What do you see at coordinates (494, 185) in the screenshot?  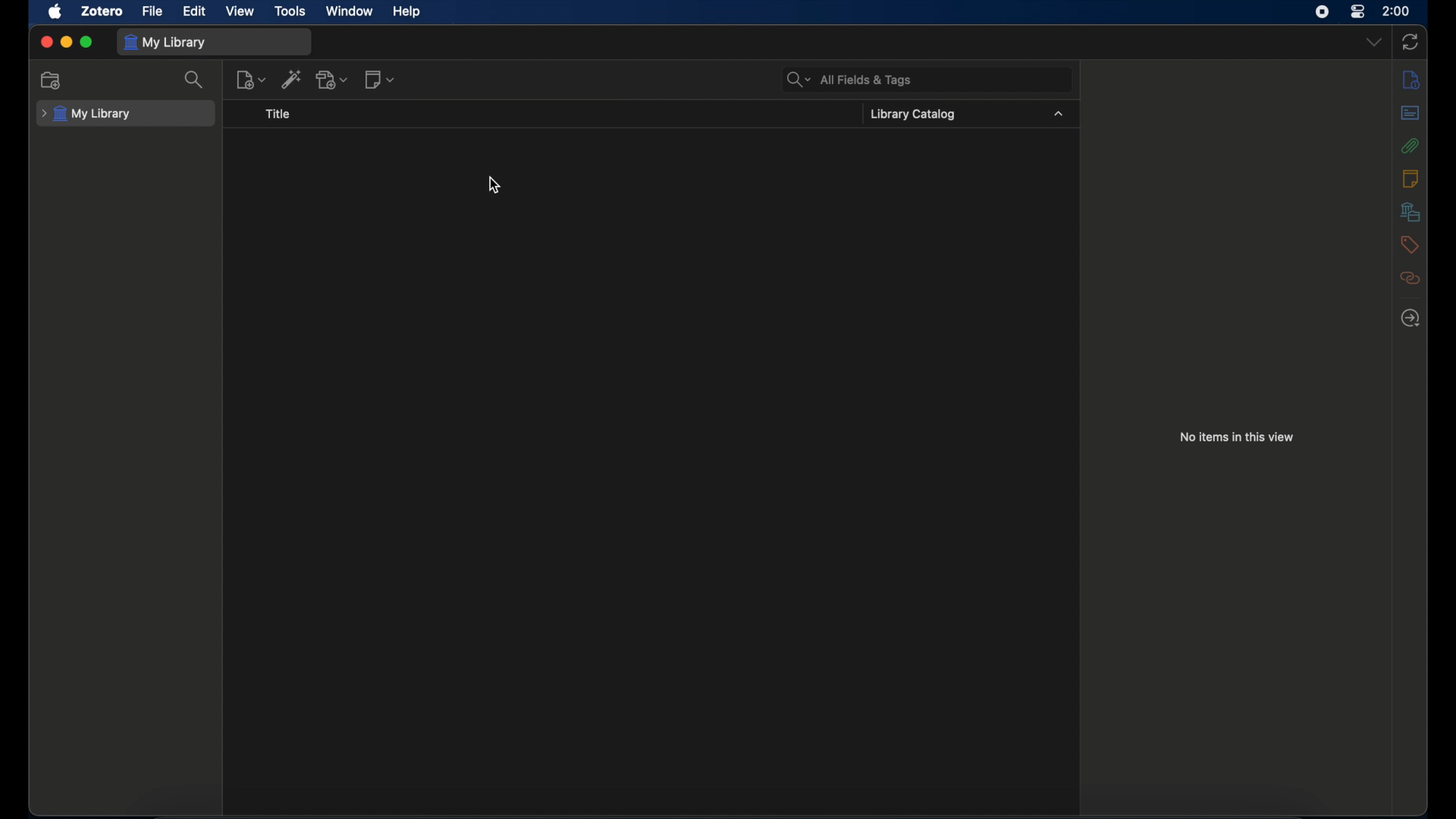 I see `cursor` at bounding box center [494, 185].